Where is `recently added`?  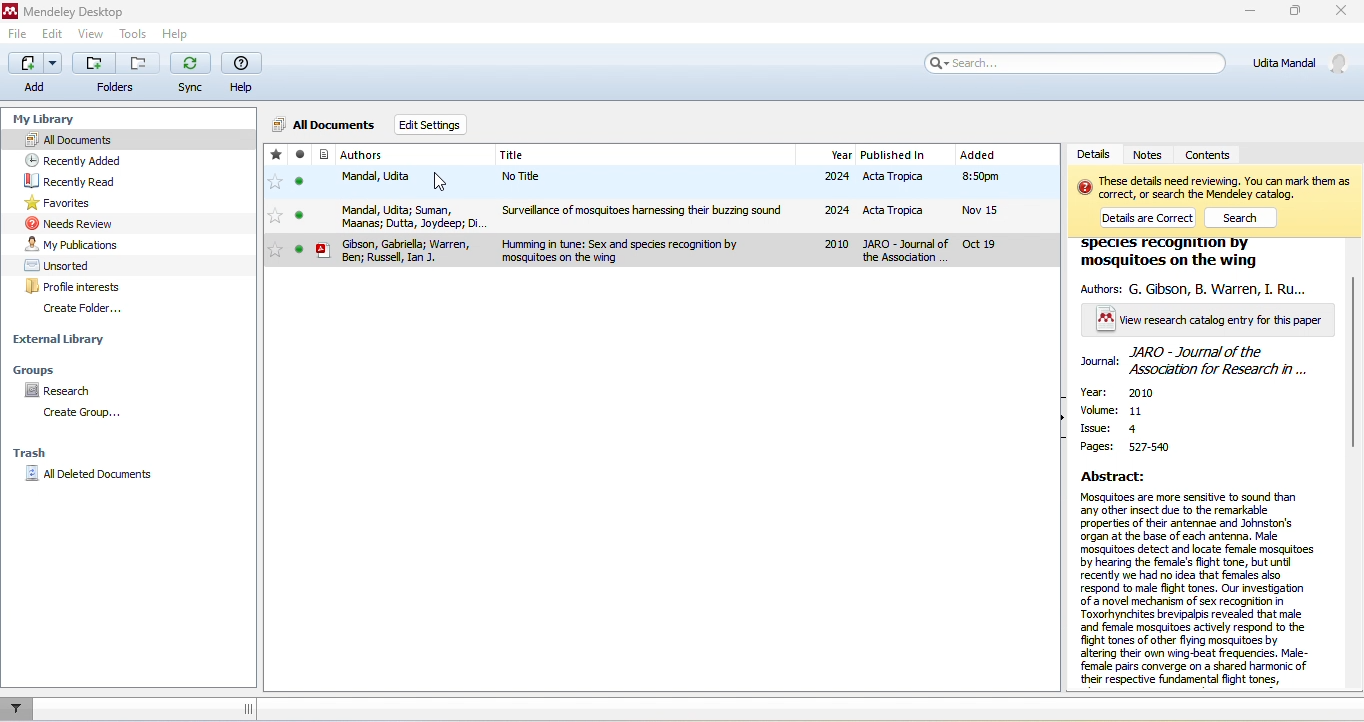
recently added is located at coordinates (83, 159).